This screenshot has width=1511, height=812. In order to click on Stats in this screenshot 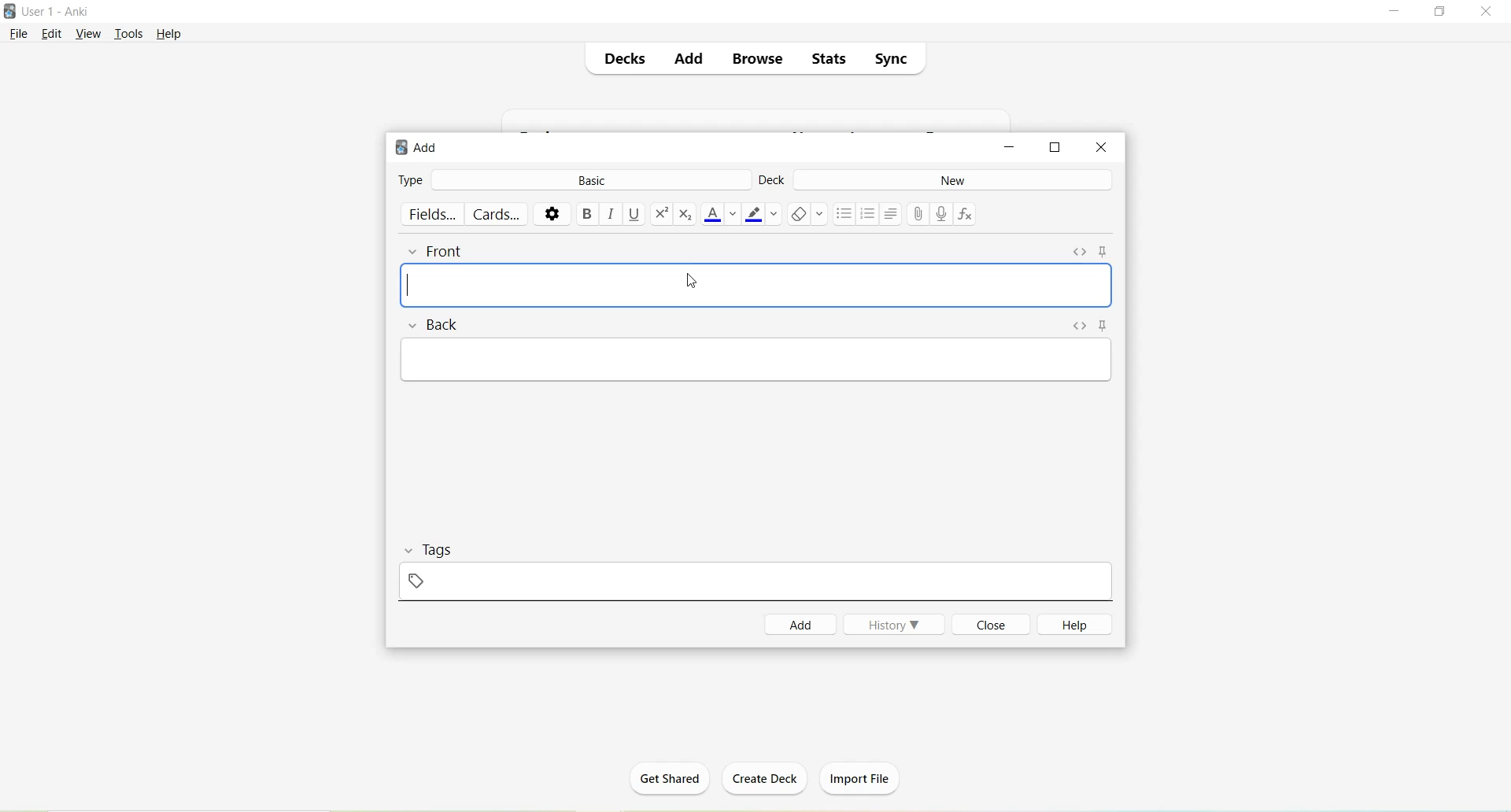, I will do `click(826, 59)`.